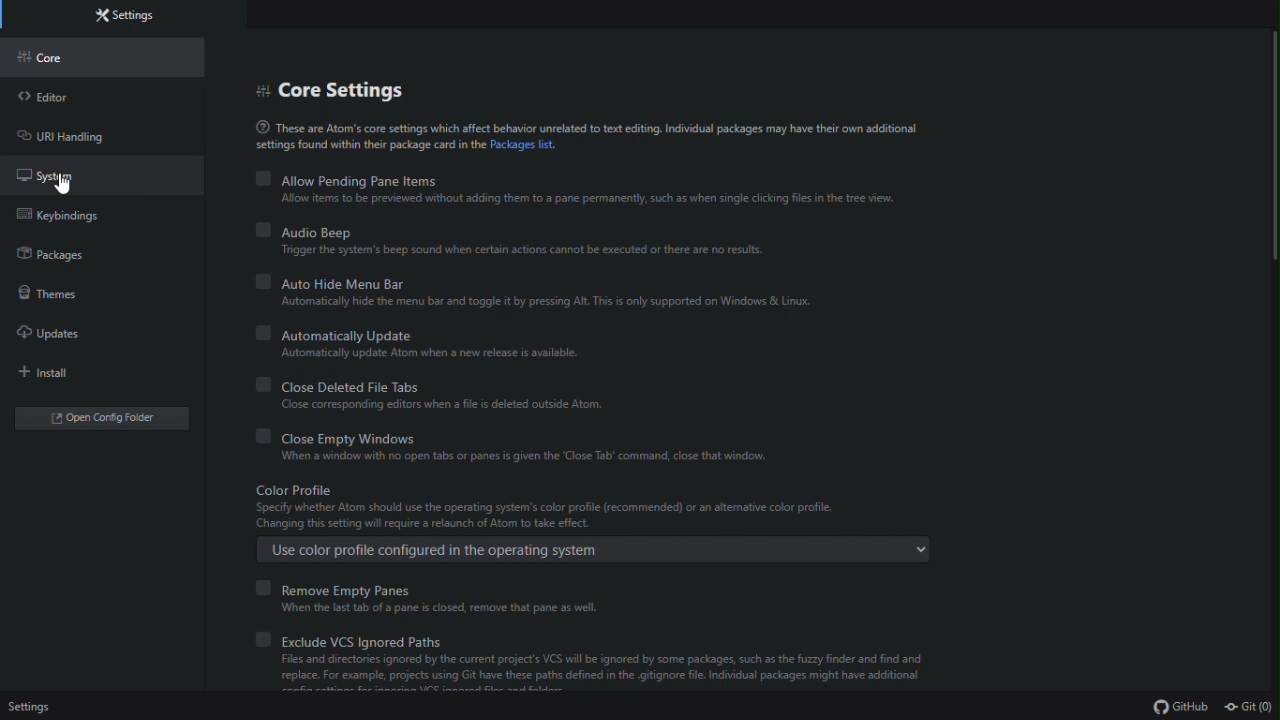 This screenshot has height=720, width=1280. What do you see at coordinates (473, 589) in the screenshot?
I see `remove empty panes` at bounding box center [473, 589].